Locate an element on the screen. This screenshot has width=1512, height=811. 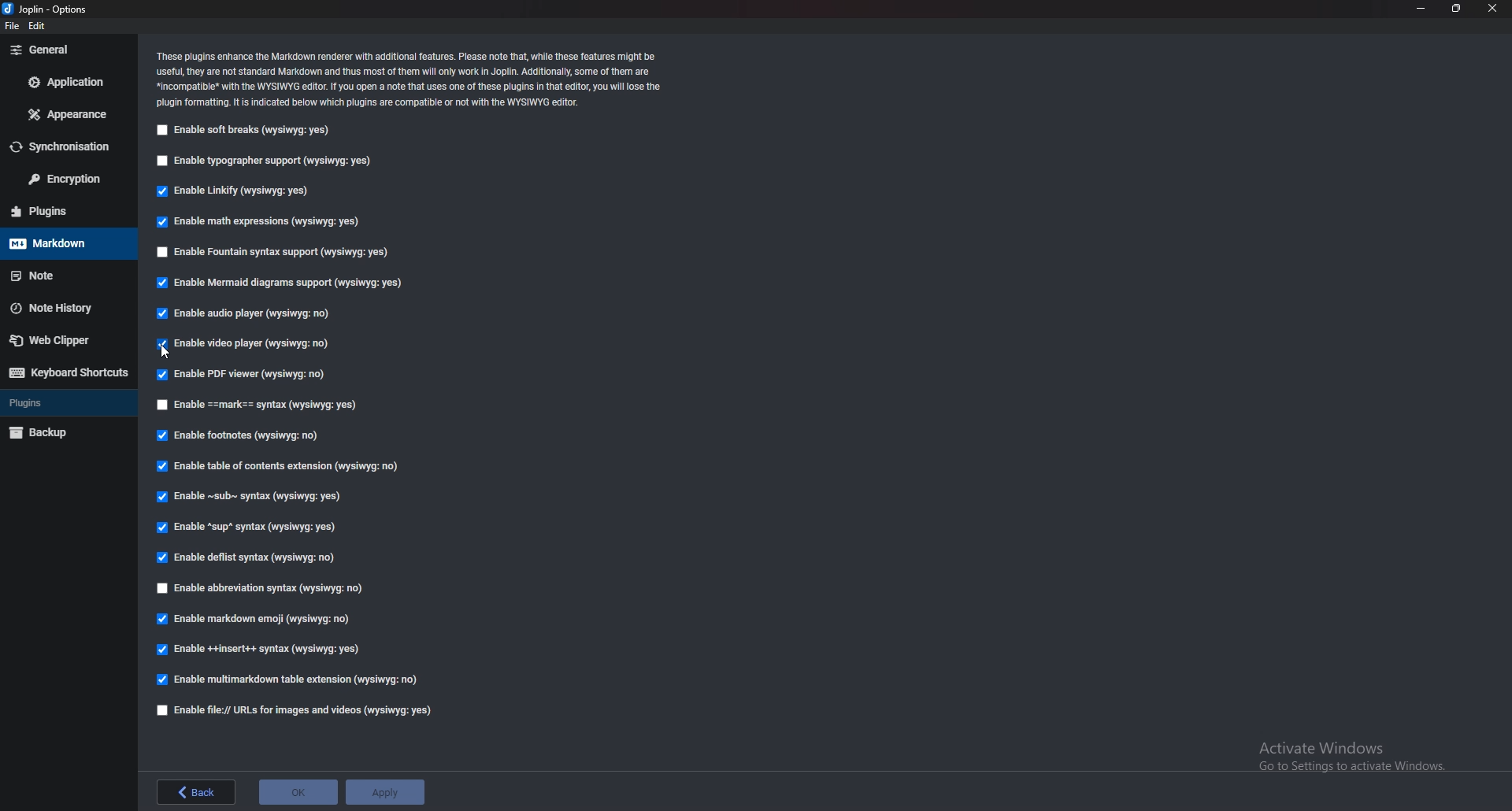
Enable video player (wysiqyg:no) is located at coordinates (246, 344).